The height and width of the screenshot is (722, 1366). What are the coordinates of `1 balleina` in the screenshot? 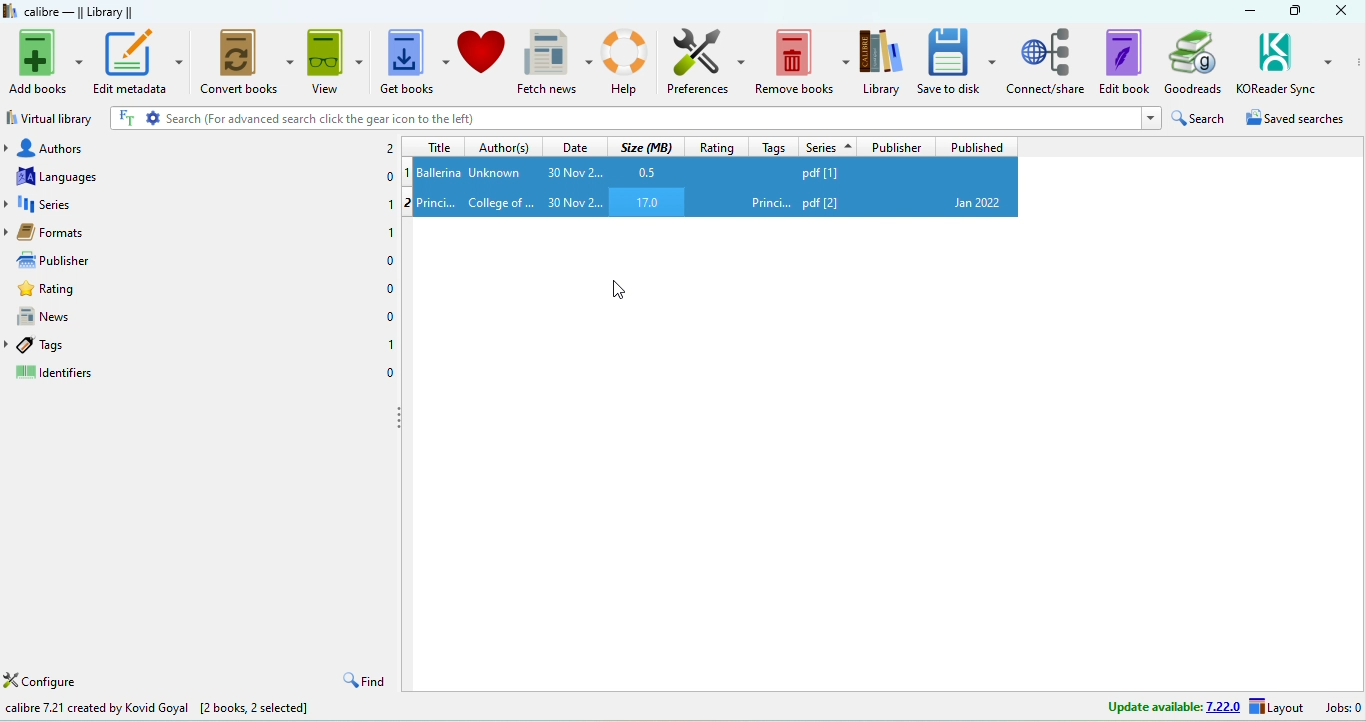 It's located at (433, 171).